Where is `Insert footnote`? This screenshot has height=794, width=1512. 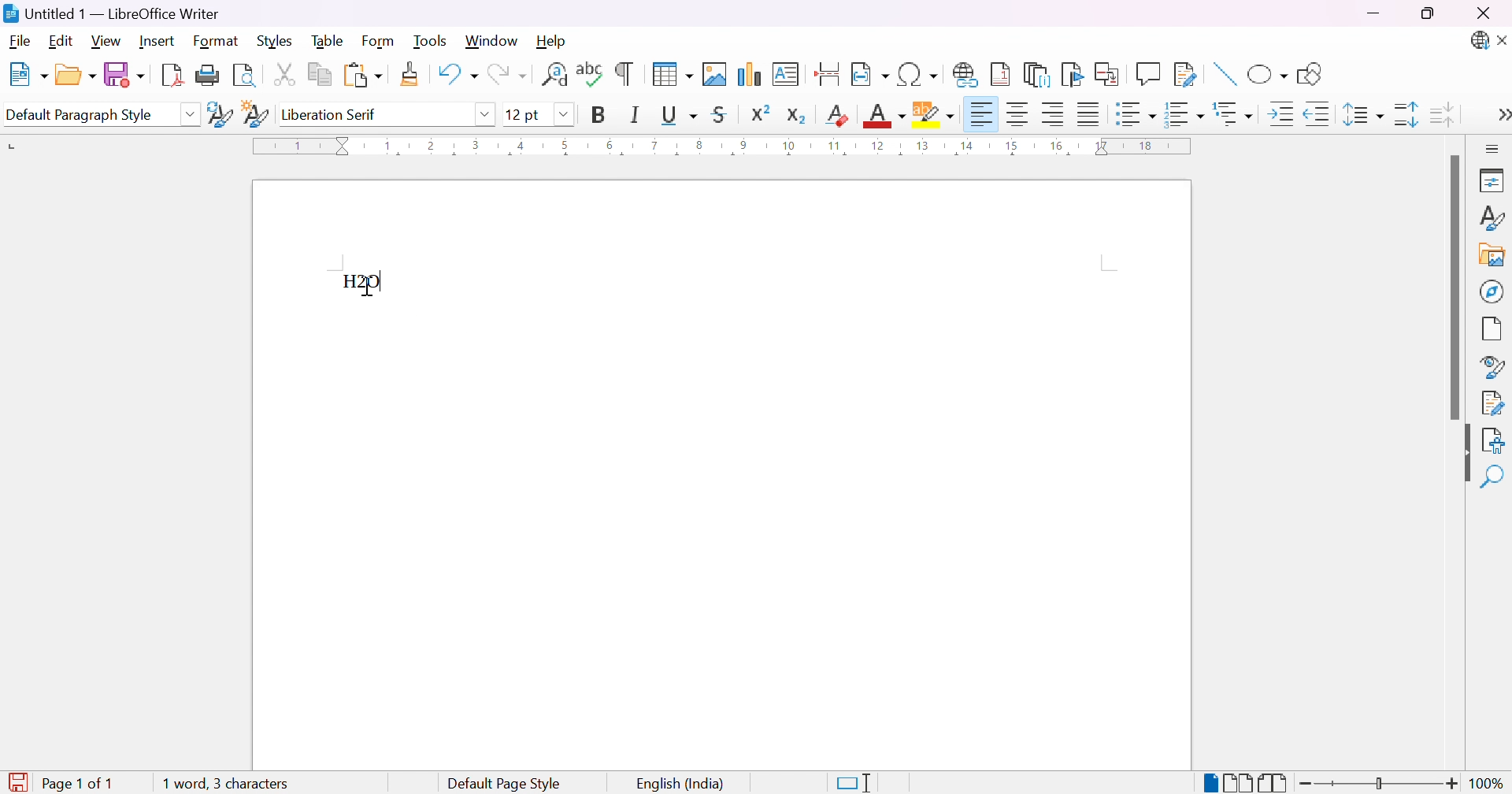
Insert footnote is located at coordinates (1001, 73).